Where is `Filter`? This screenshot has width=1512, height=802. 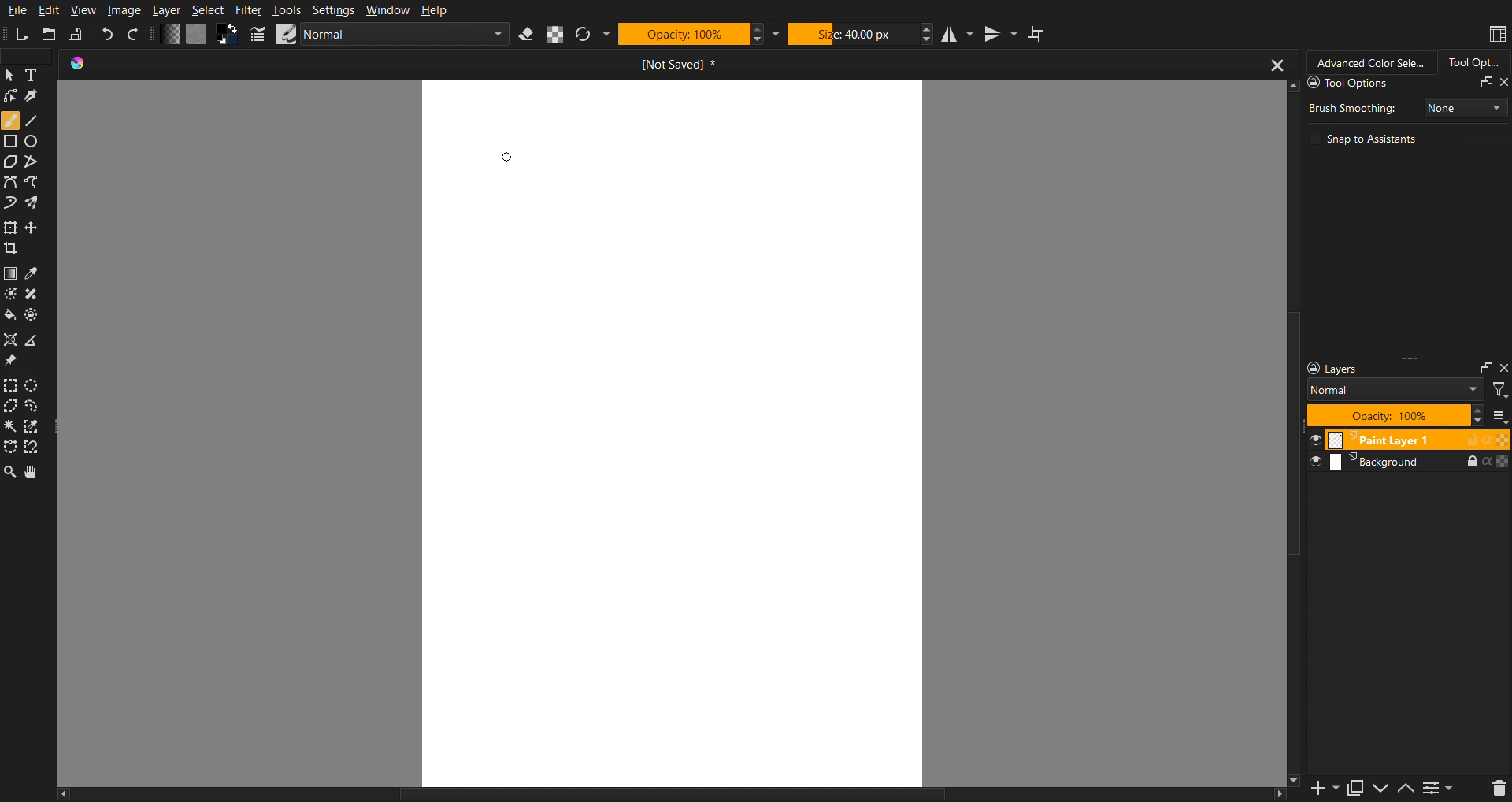 Filter is located at coordinates (248, 9).